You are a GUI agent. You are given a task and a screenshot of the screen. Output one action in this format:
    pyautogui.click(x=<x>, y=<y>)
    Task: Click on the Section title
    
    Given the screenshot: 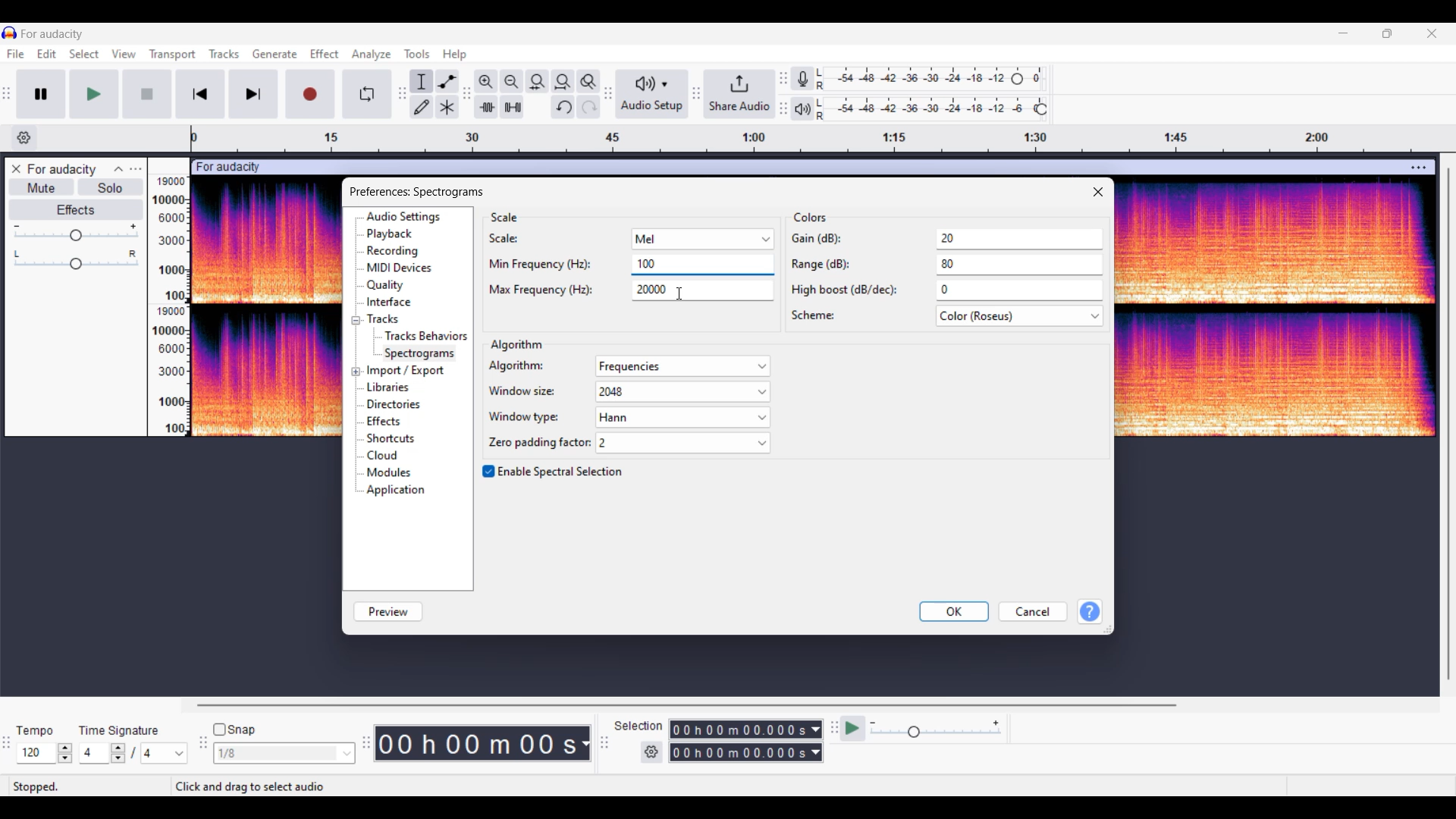 What is the action you would take?
    pyautogui.click(x=516, y=344)
    